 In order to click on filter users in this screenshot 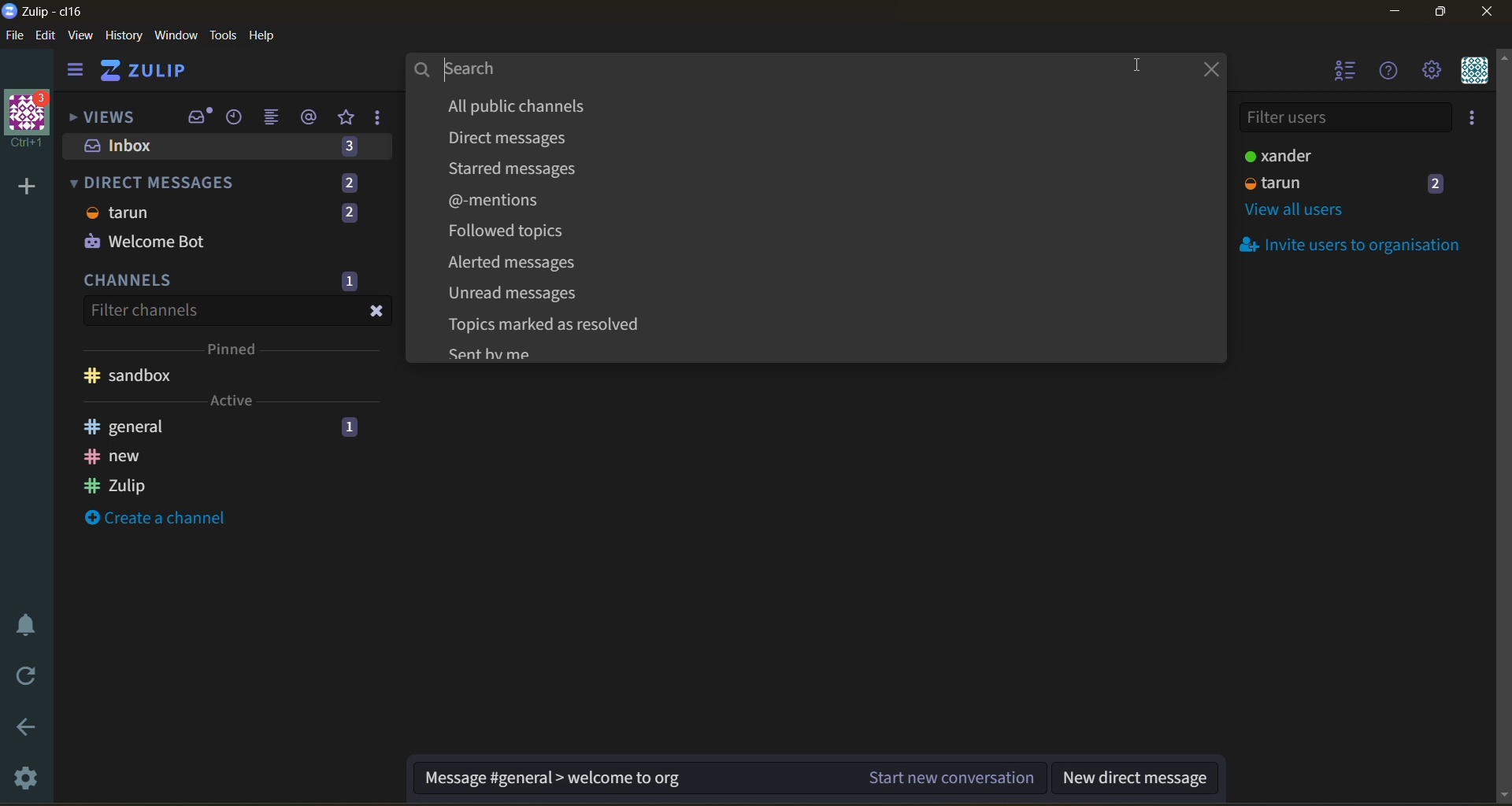, I will do `click(1344, 119)`.